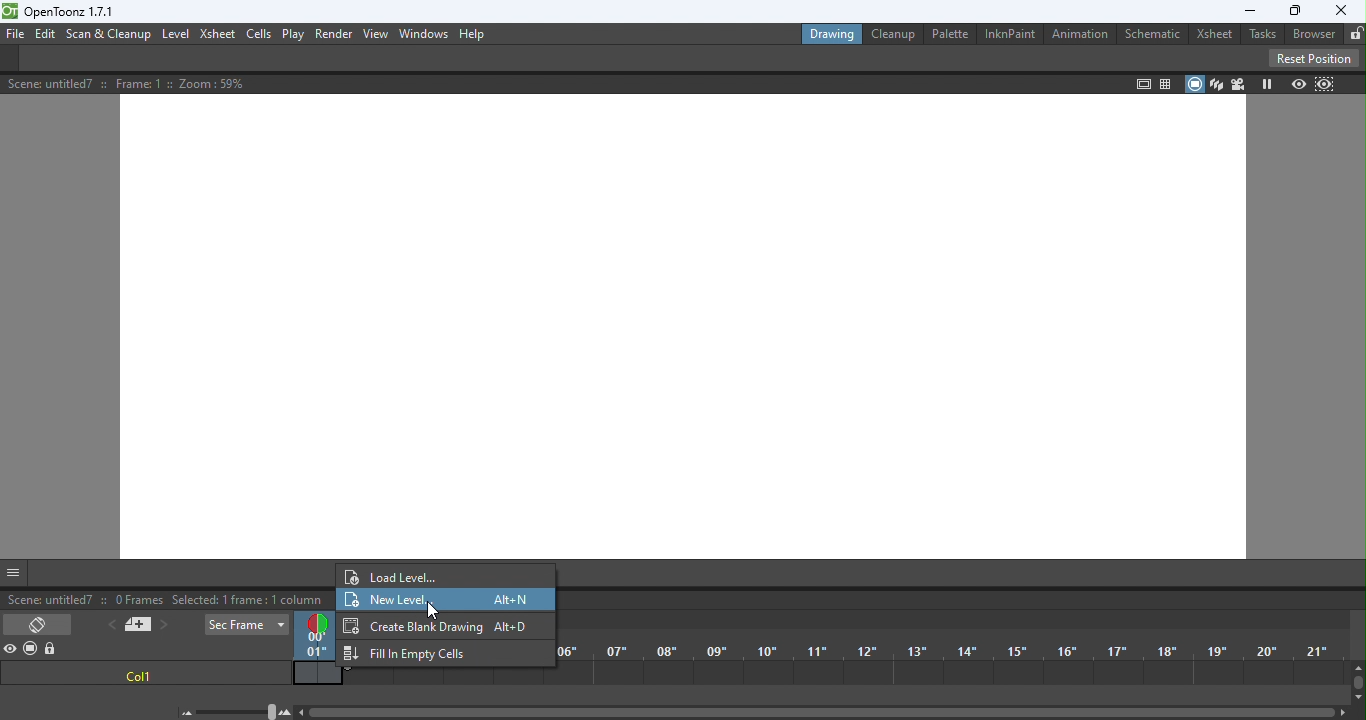  Describe the element at coordinates (109, 625) in the screenshot. I see `Previous memo` at that location.